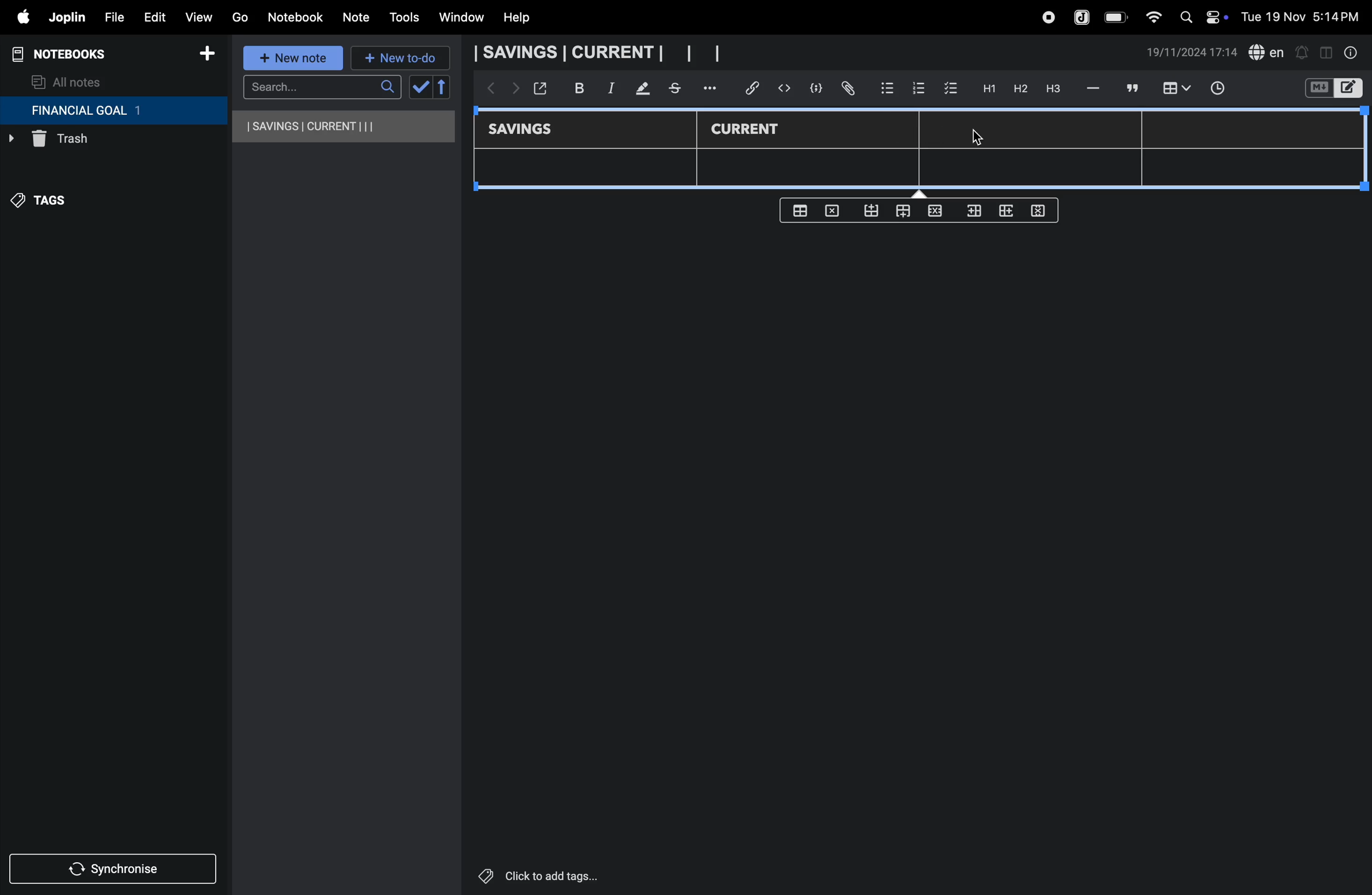  I want to click on add rows, so click(1004, 214).